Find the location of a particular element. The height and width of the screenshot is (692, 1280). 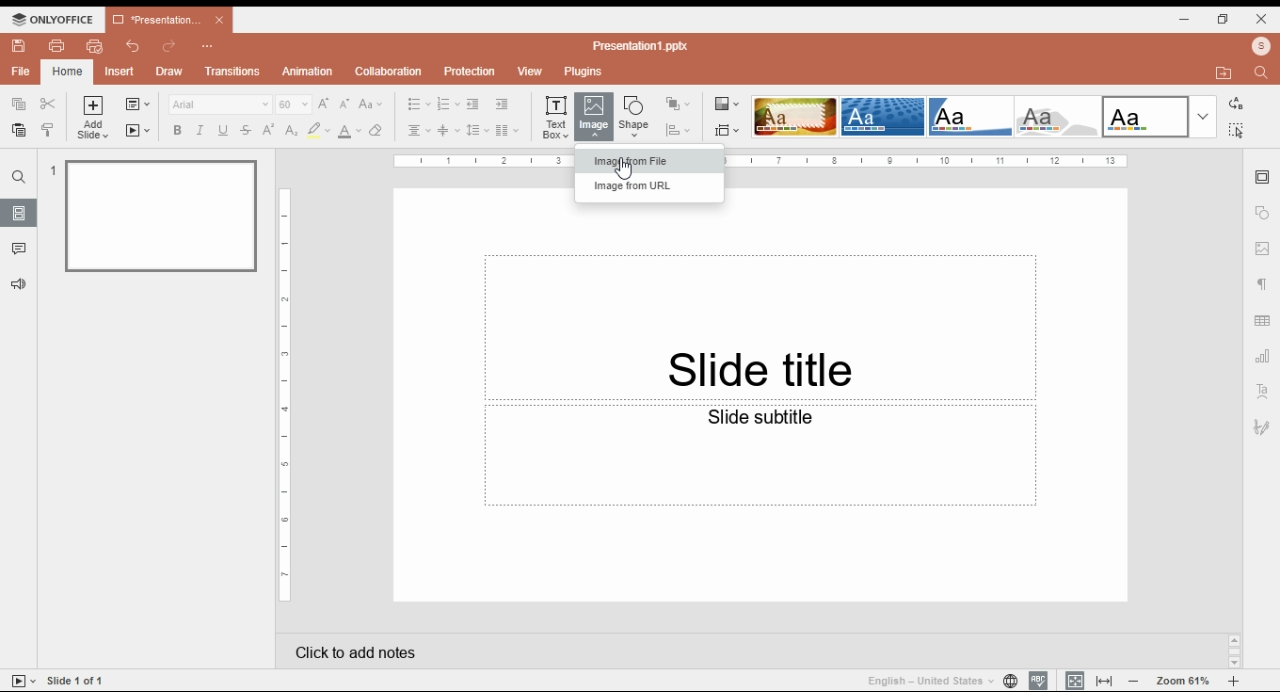

numbering is located at coordinates (447, 104).